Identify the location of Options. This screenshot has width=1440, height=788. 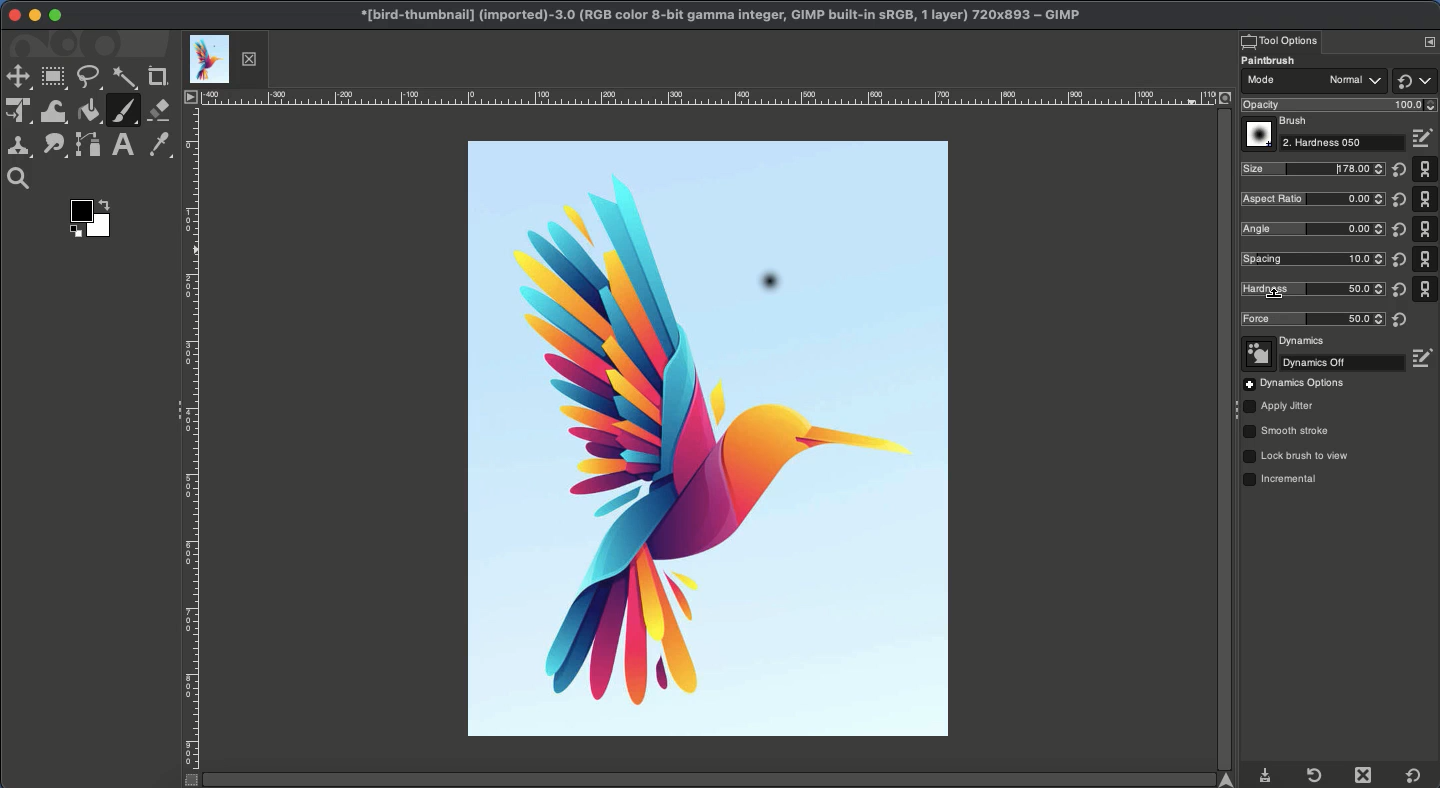
(1429, 41).